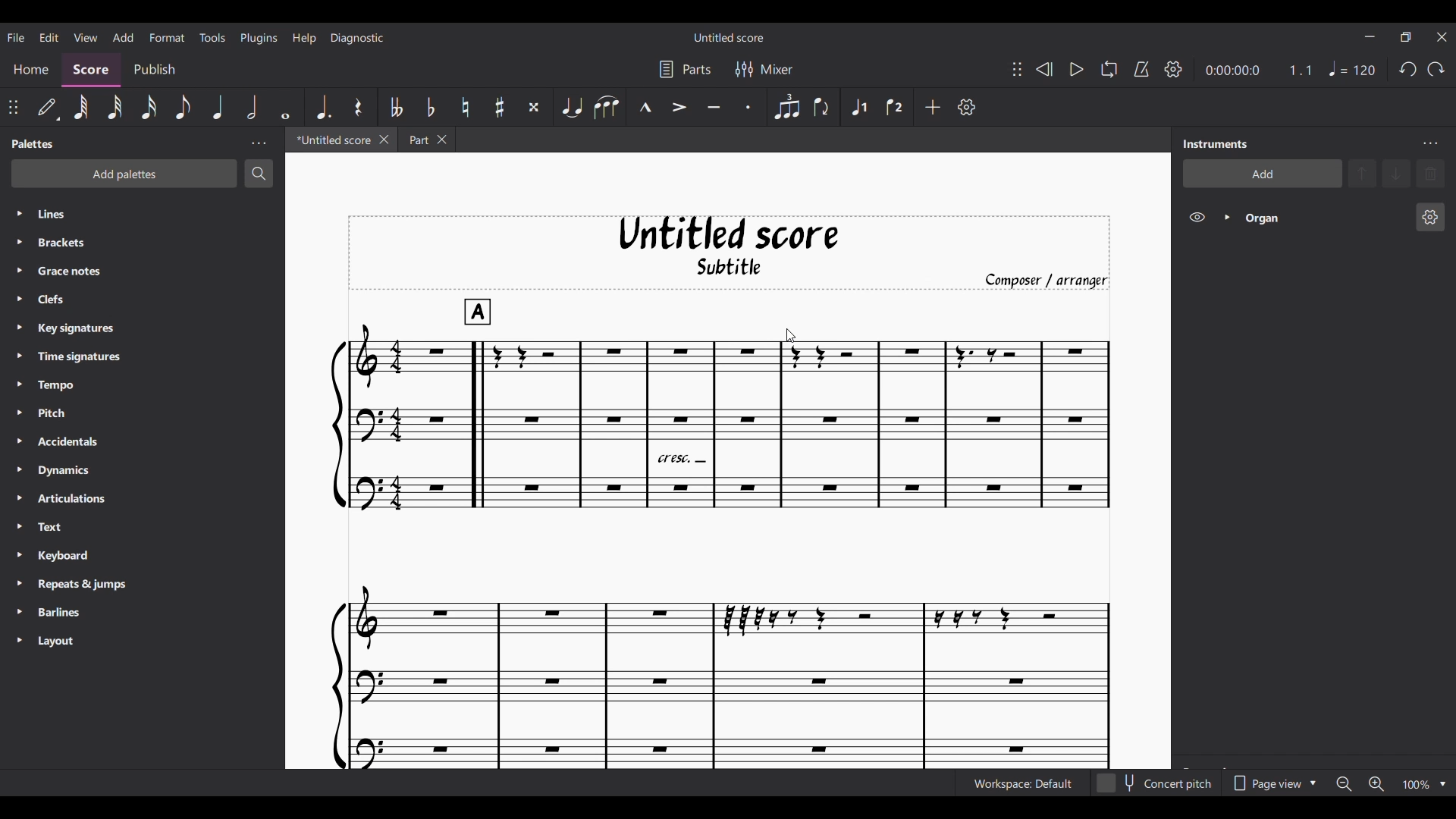  Describe the element at coordinates (154, 71) in the screenshot. I see `Publish section` at that location.